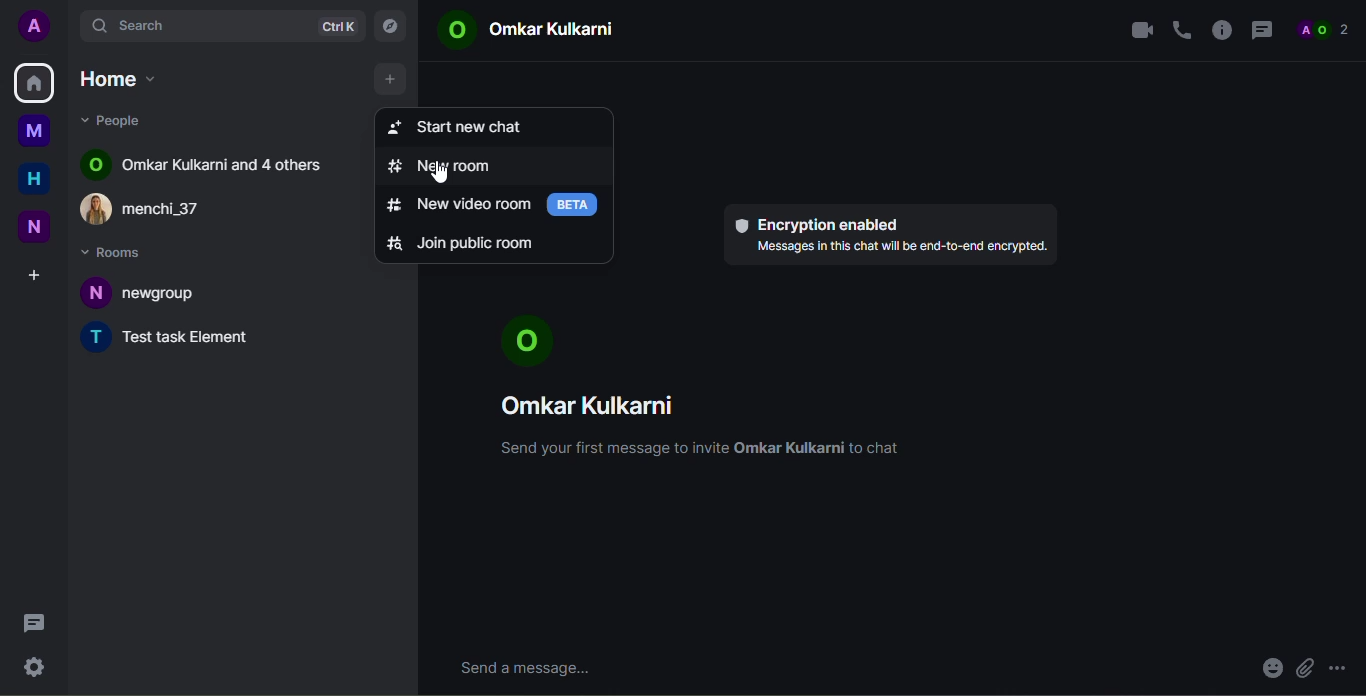  I want to click on new video room, so click(460, 204).